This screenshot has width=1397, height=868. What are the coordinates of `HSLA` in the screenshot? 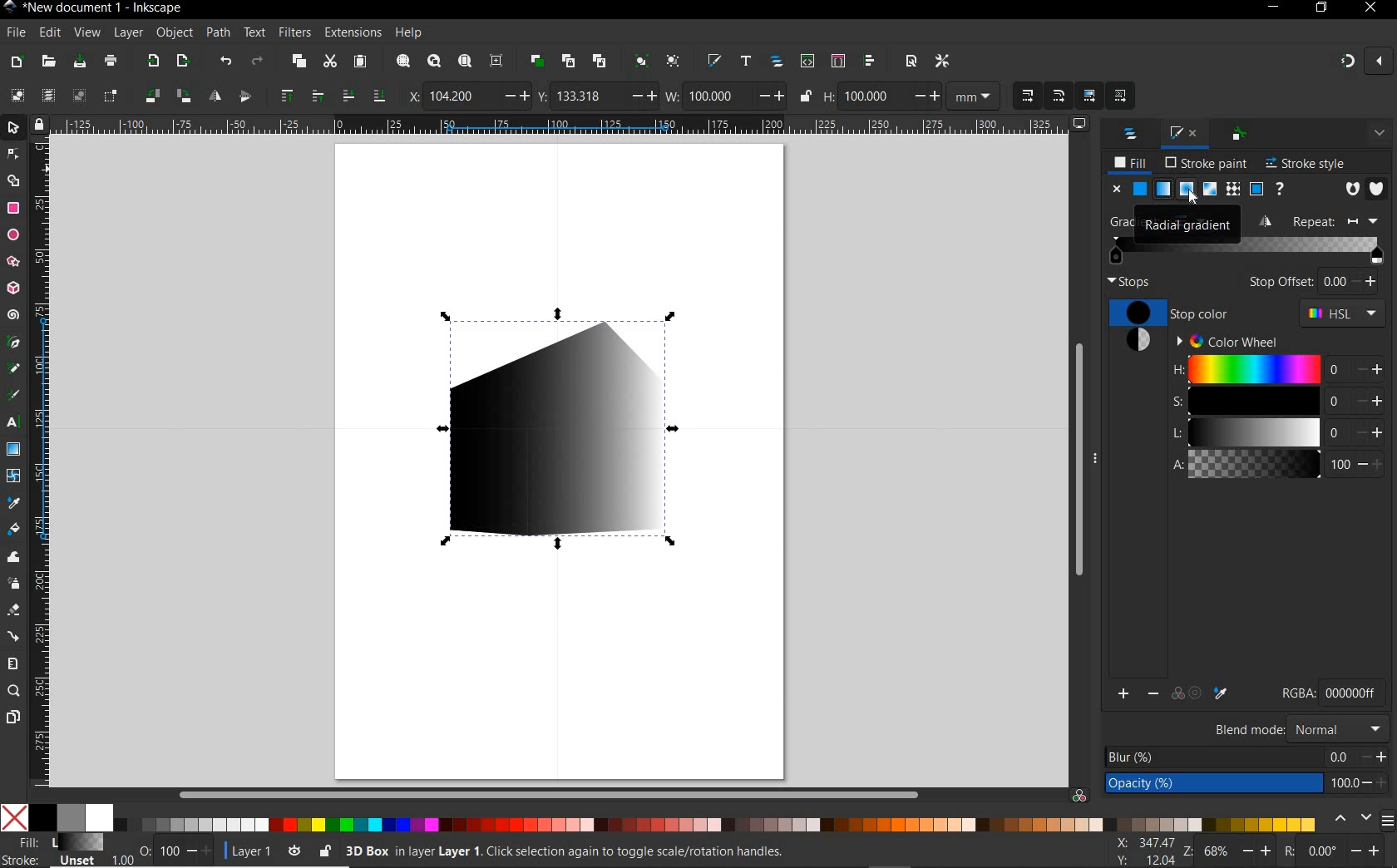 It's located at (1177, 420).